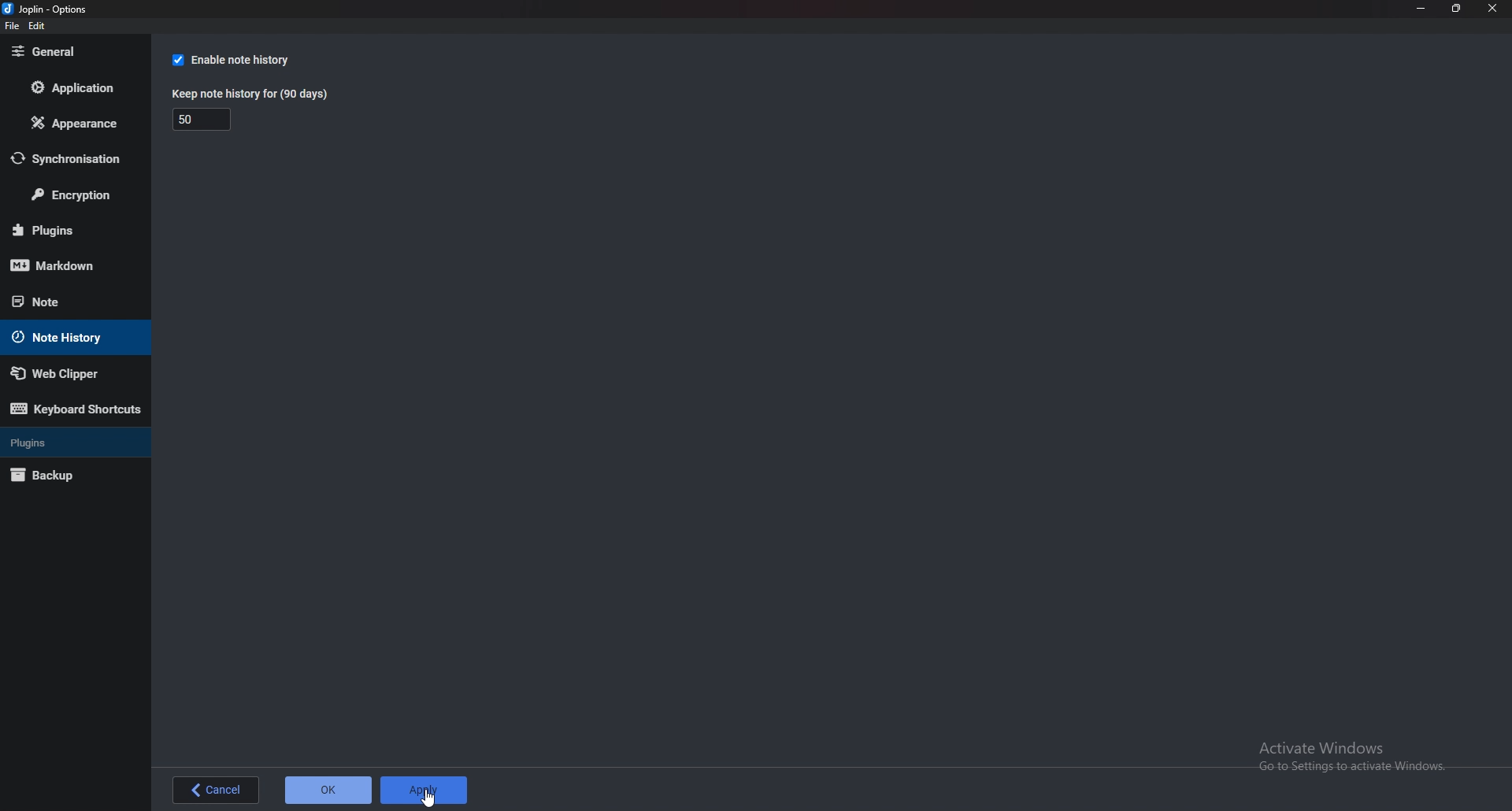  What do you see at coordinates (254, 94) in the screenshot?
I see `Keep note history for` at bounding box center [254, 94].